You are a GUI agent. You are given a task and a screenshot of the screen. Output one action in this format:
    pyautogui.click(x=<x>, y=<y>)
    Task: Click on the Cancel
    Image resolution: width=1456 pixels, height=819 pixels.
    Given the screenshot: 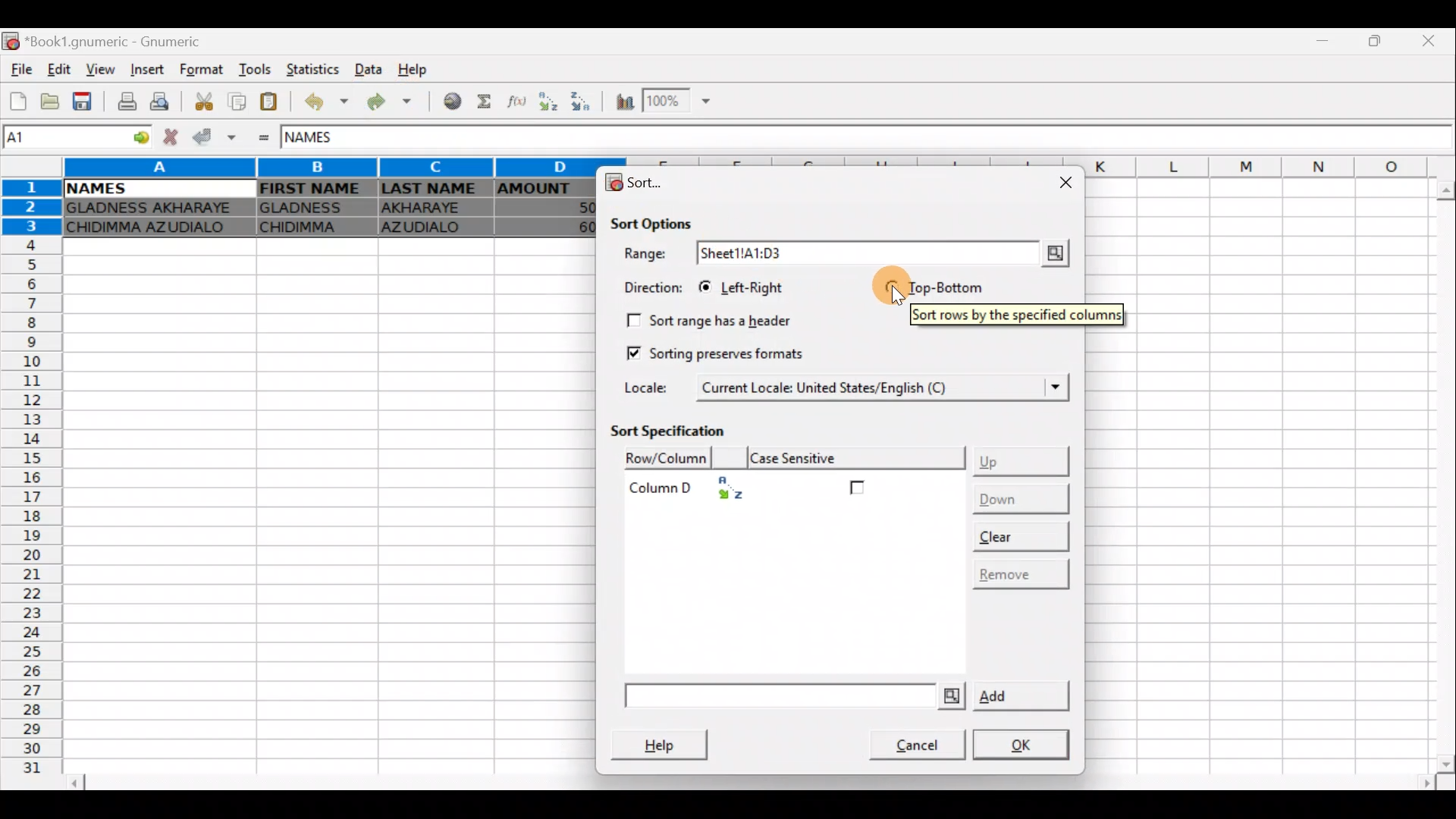 What is the action you would take?
    pyautogui.click(x=908, y=742)
    